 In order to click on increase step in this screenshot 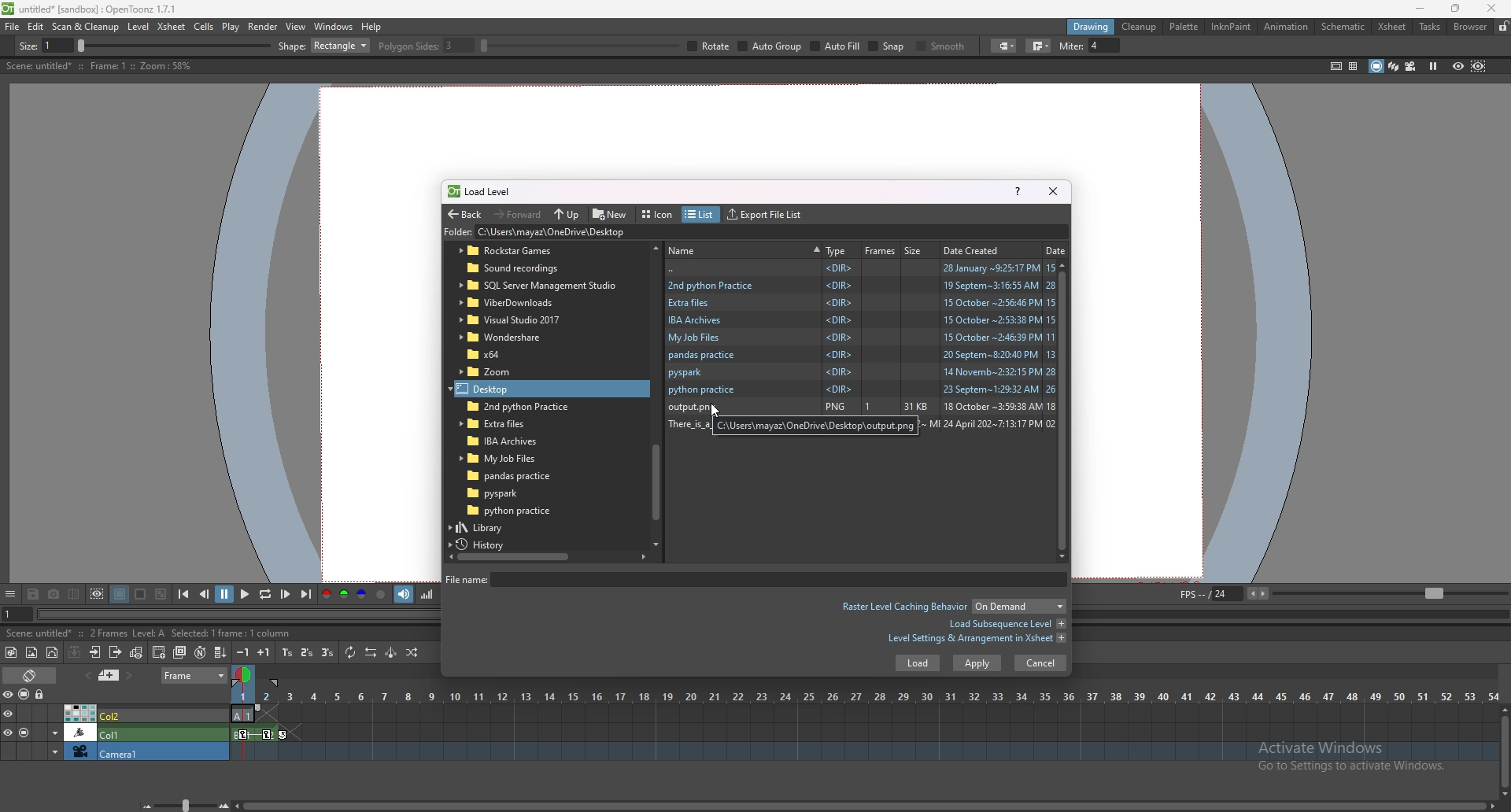, I will do `click(264, 652)`.